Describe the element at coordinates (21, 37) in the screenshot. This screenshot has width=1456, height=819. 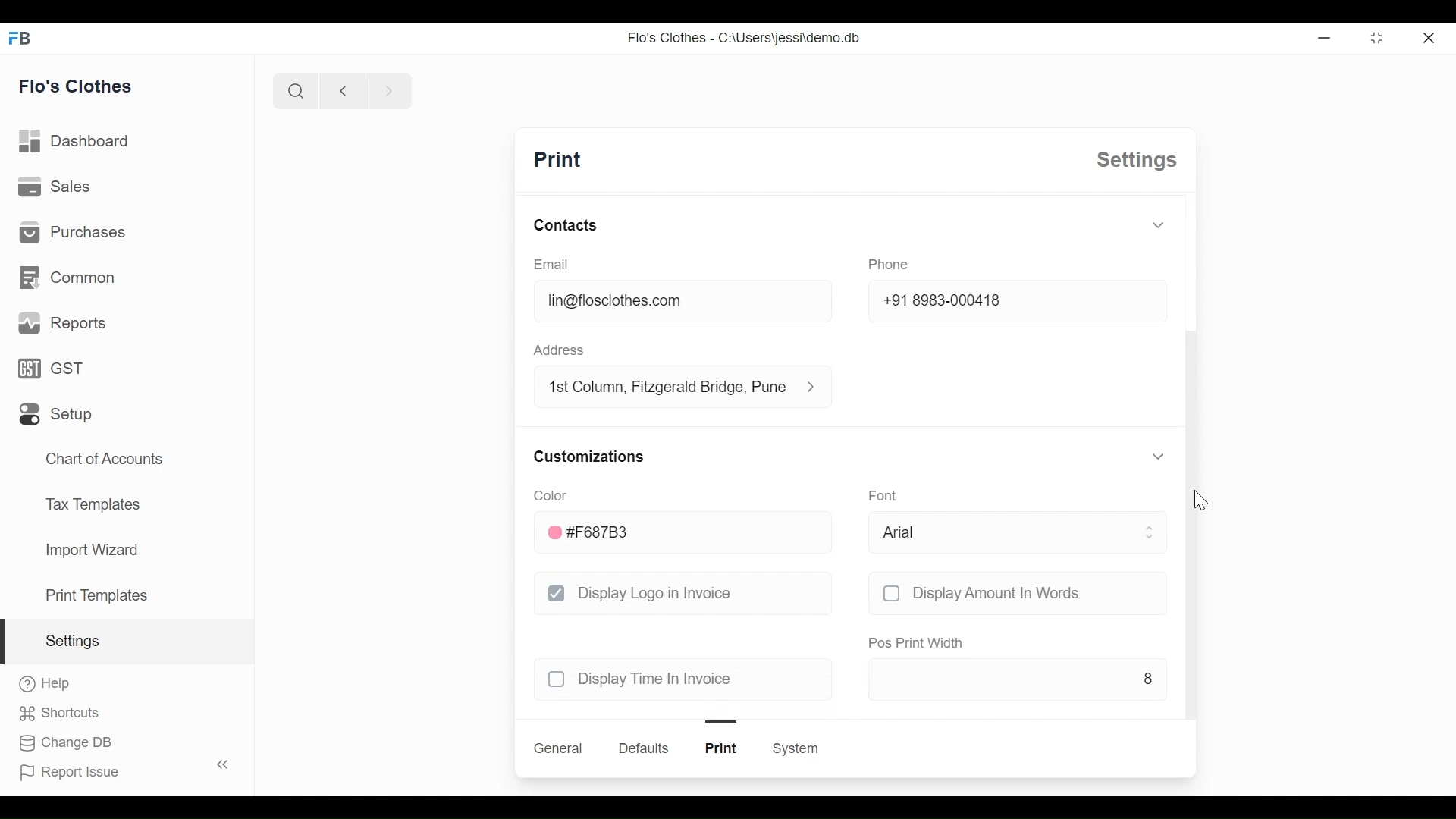
I see `FB` at that location.